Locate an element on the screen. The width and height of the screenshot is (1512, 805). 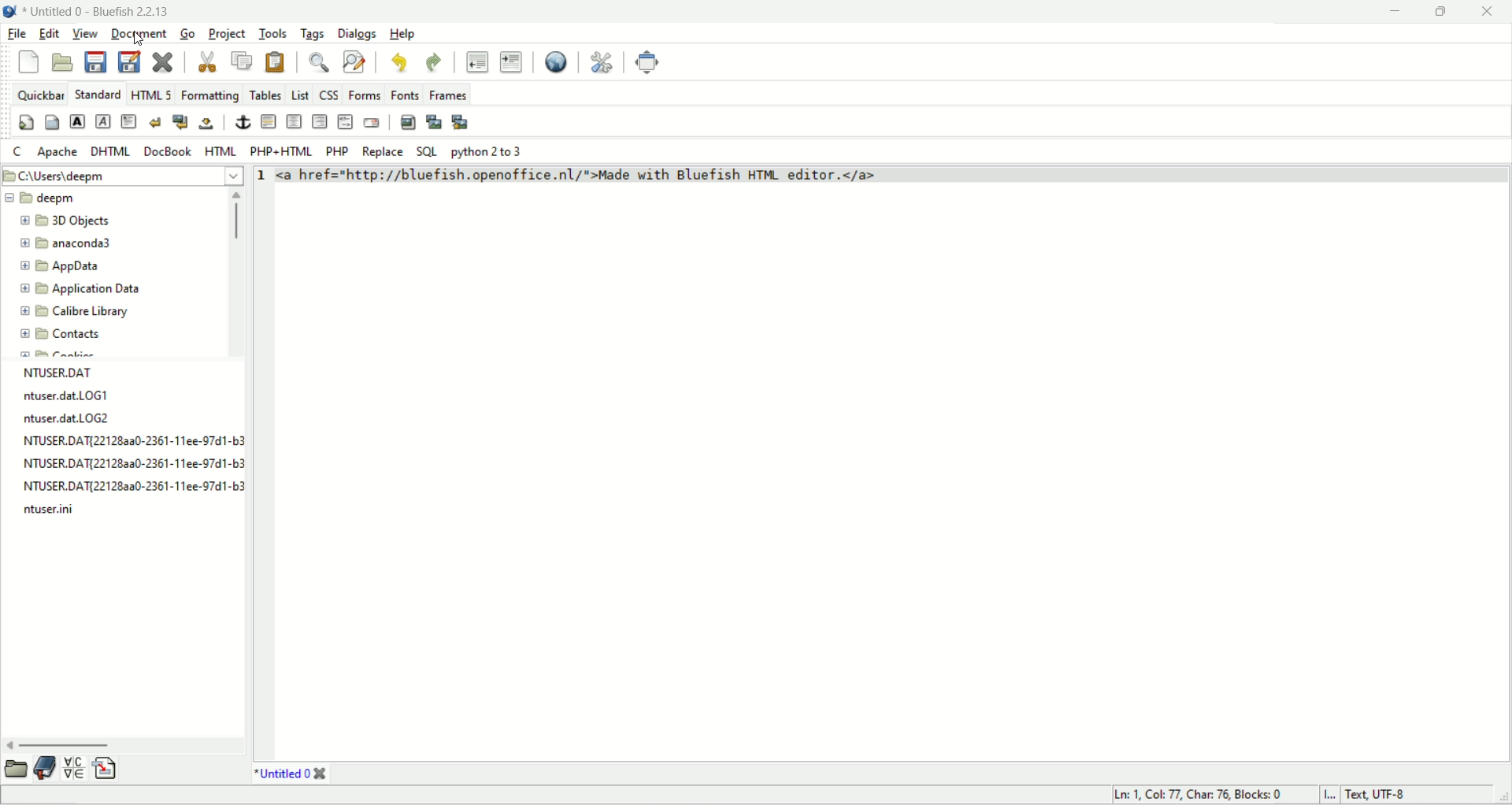
edit is located at coordinates (51, 35).